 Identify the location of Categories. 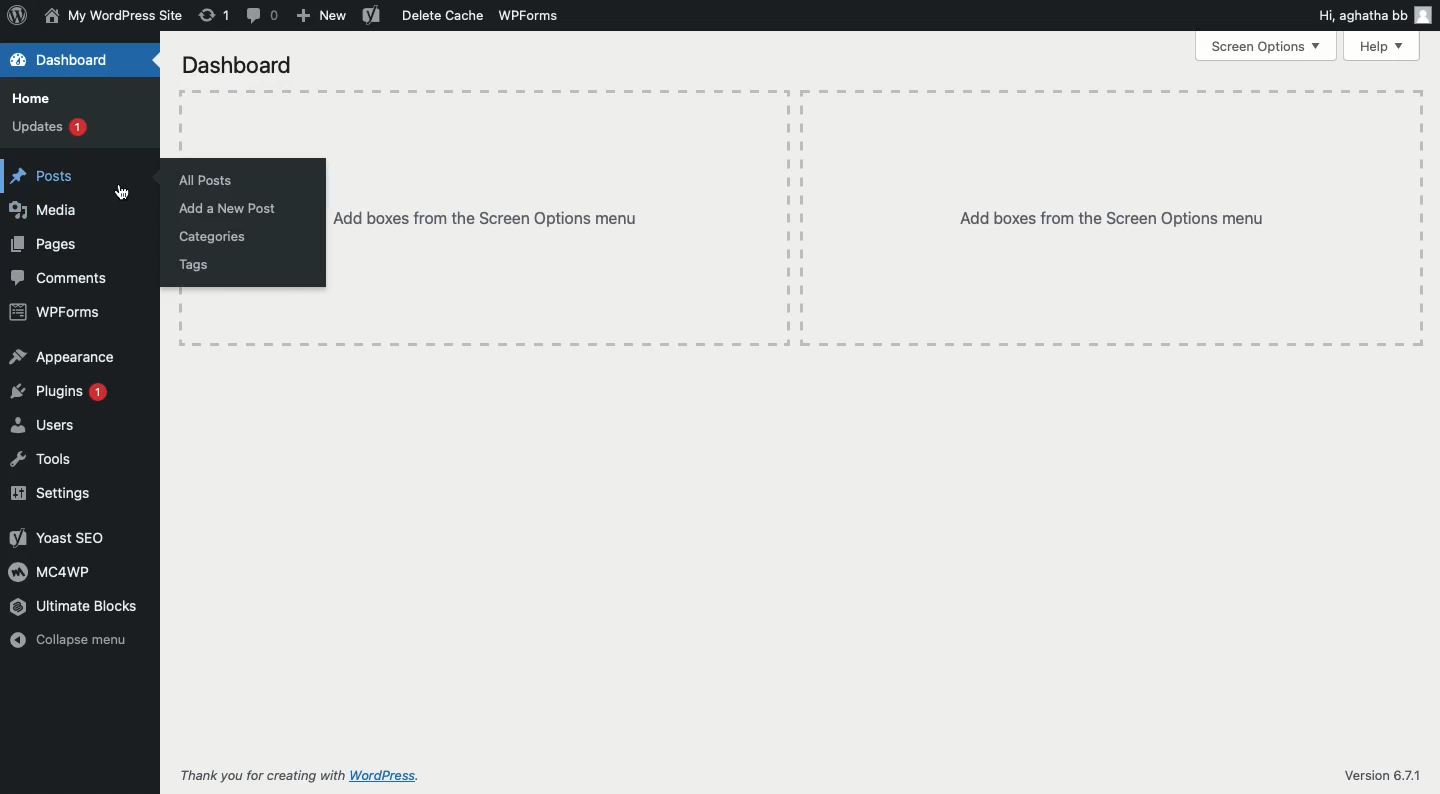
(215, 237).